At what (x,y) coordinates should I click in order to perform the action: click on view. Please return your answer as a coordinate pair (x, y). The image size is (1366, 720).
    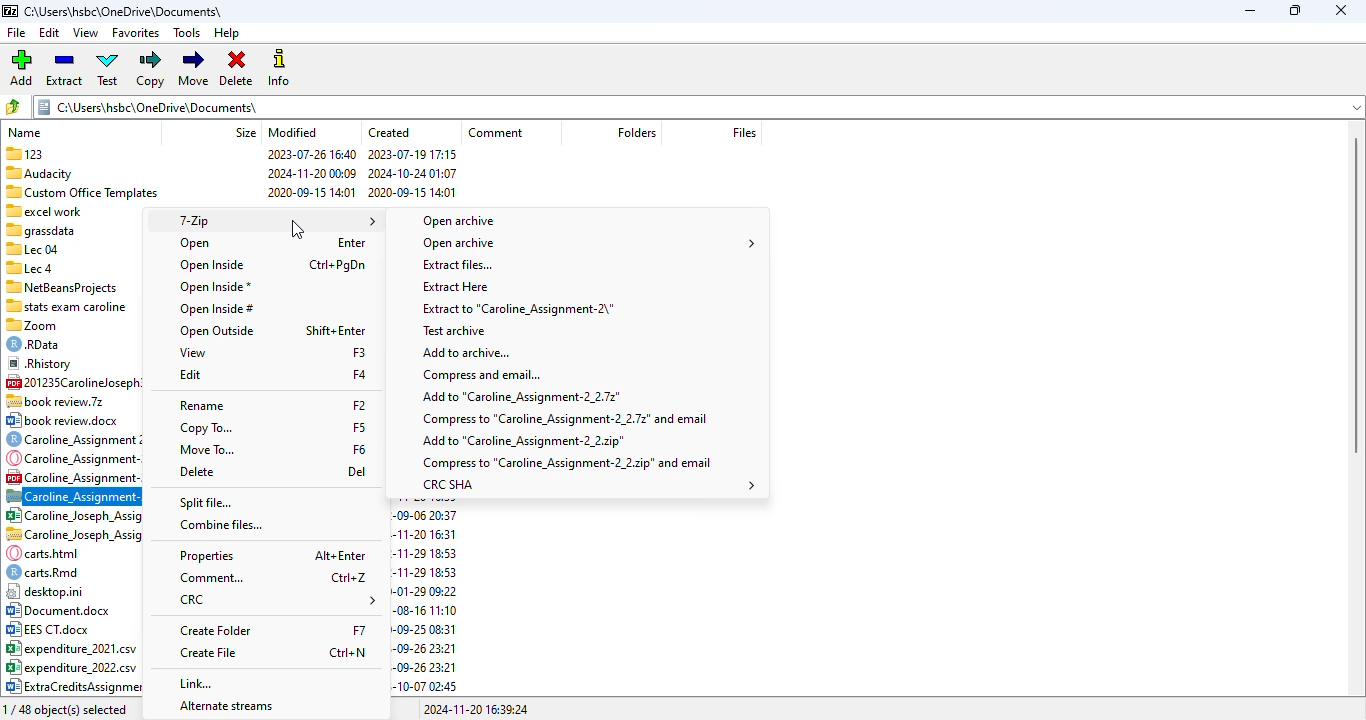
    Looking at the image, I should click on (86, 33).